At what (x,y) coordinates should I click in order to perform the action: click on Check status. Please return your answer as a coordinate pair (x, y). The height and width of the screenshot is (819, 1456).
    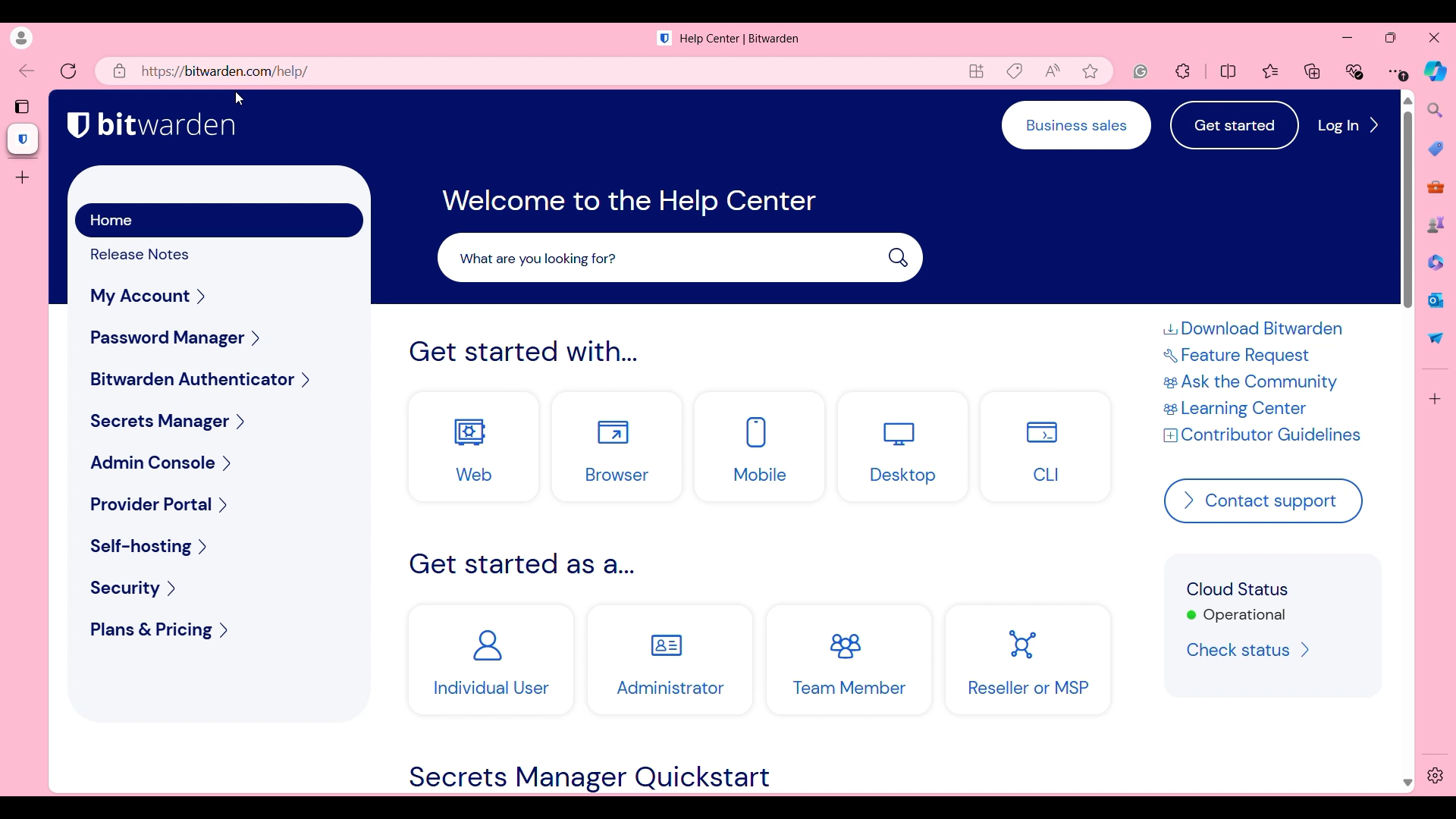
    Looking at the image, I should click on (1252, 650).